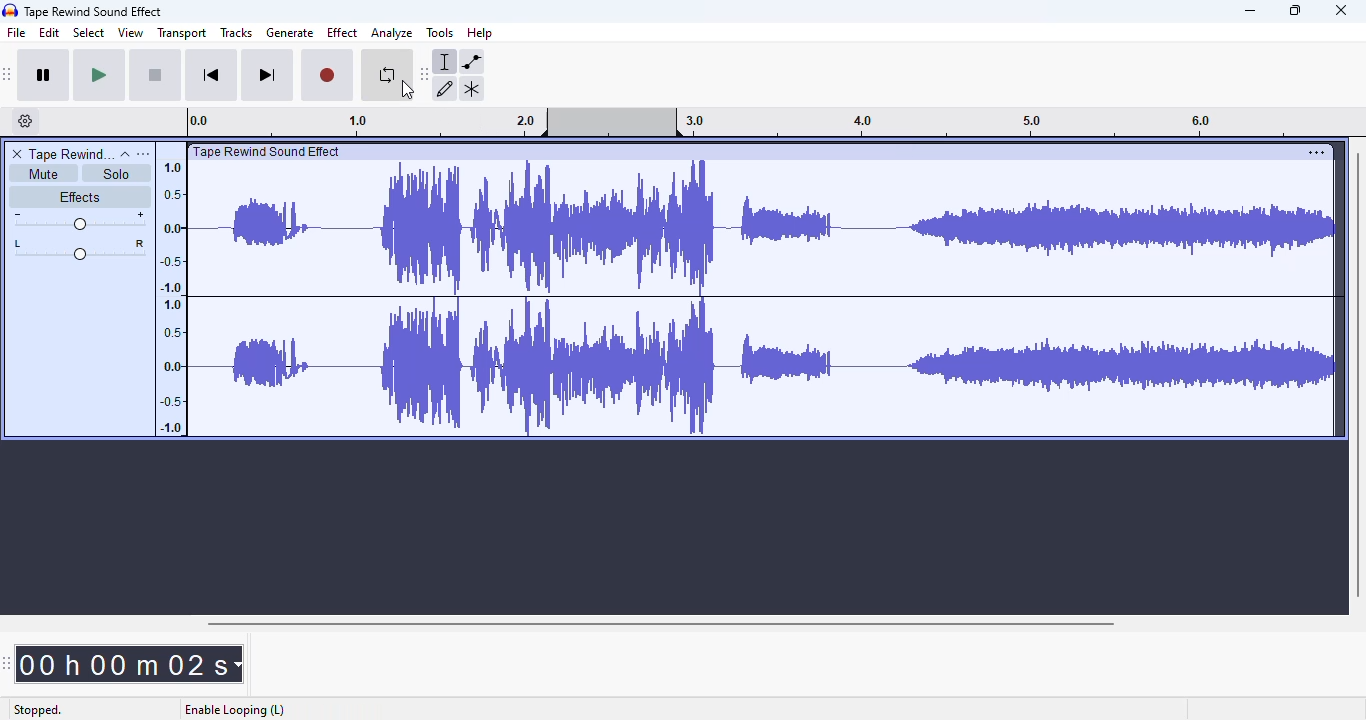  I want to click on stop, so click(155, 74).